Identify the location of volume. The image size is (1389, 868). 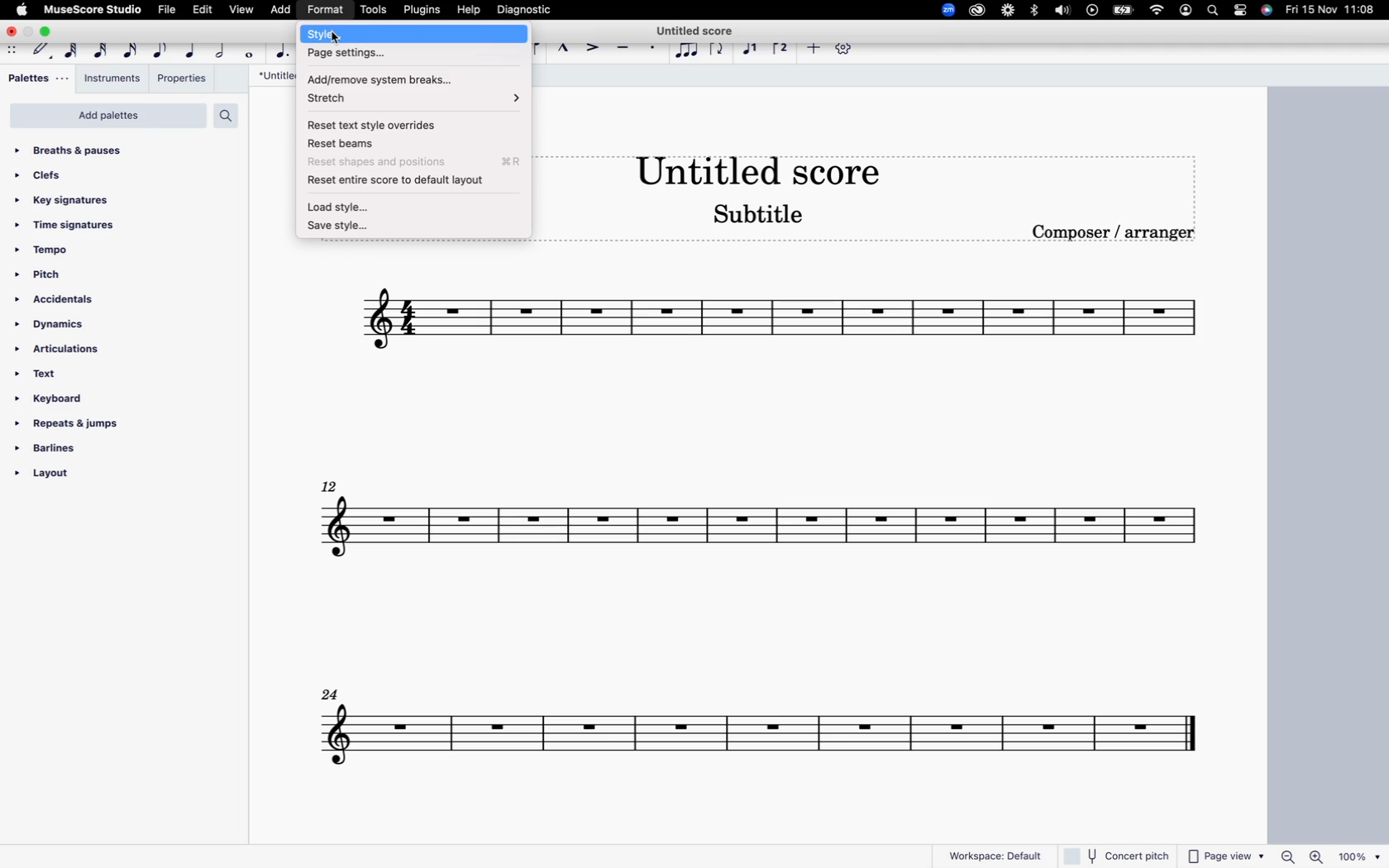
(1064, 12).